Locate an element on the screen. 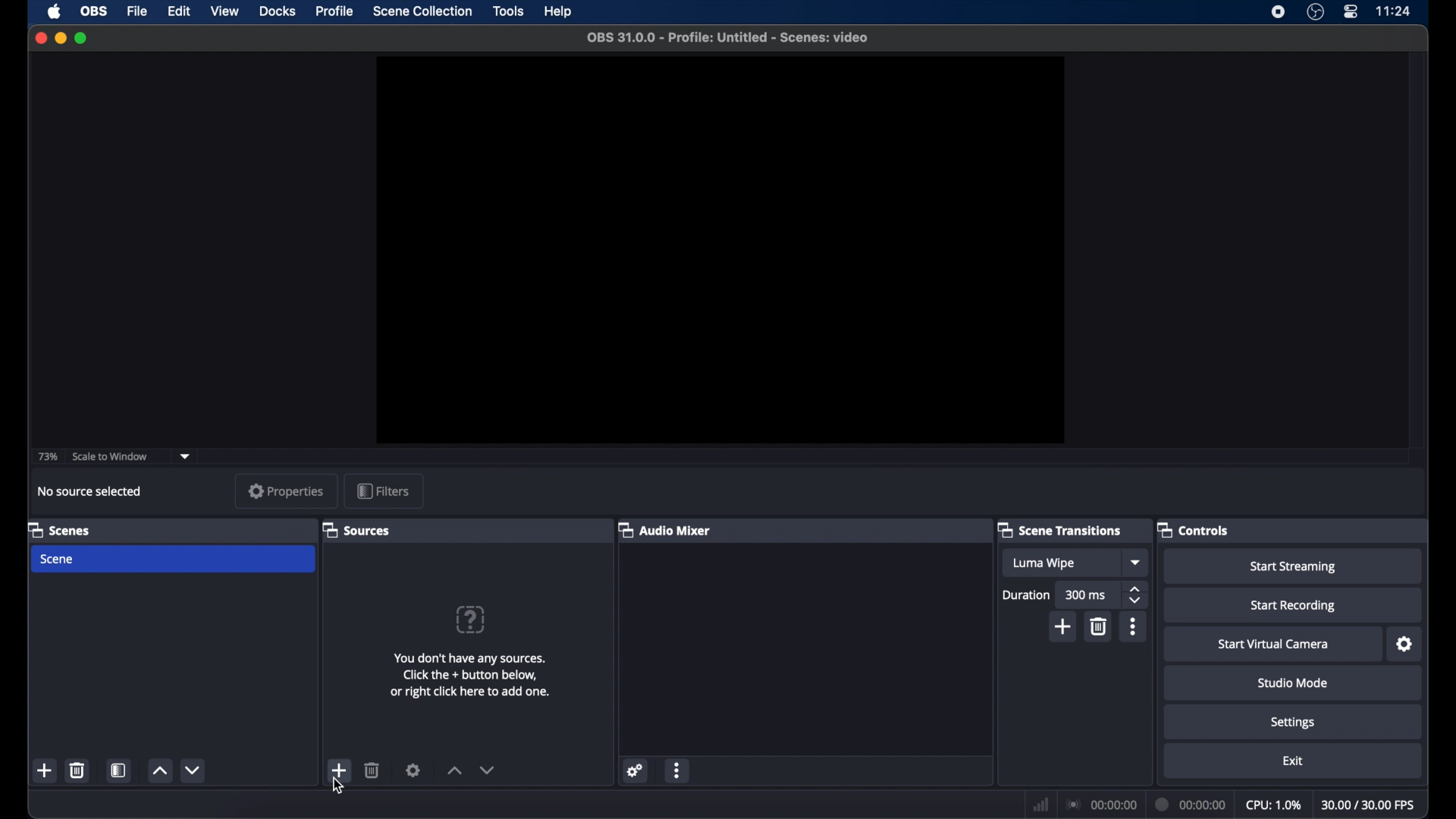 Image resolution: width=1456 pixels, height=819 pixels. start streaming is located at coordinates (1295, 567).